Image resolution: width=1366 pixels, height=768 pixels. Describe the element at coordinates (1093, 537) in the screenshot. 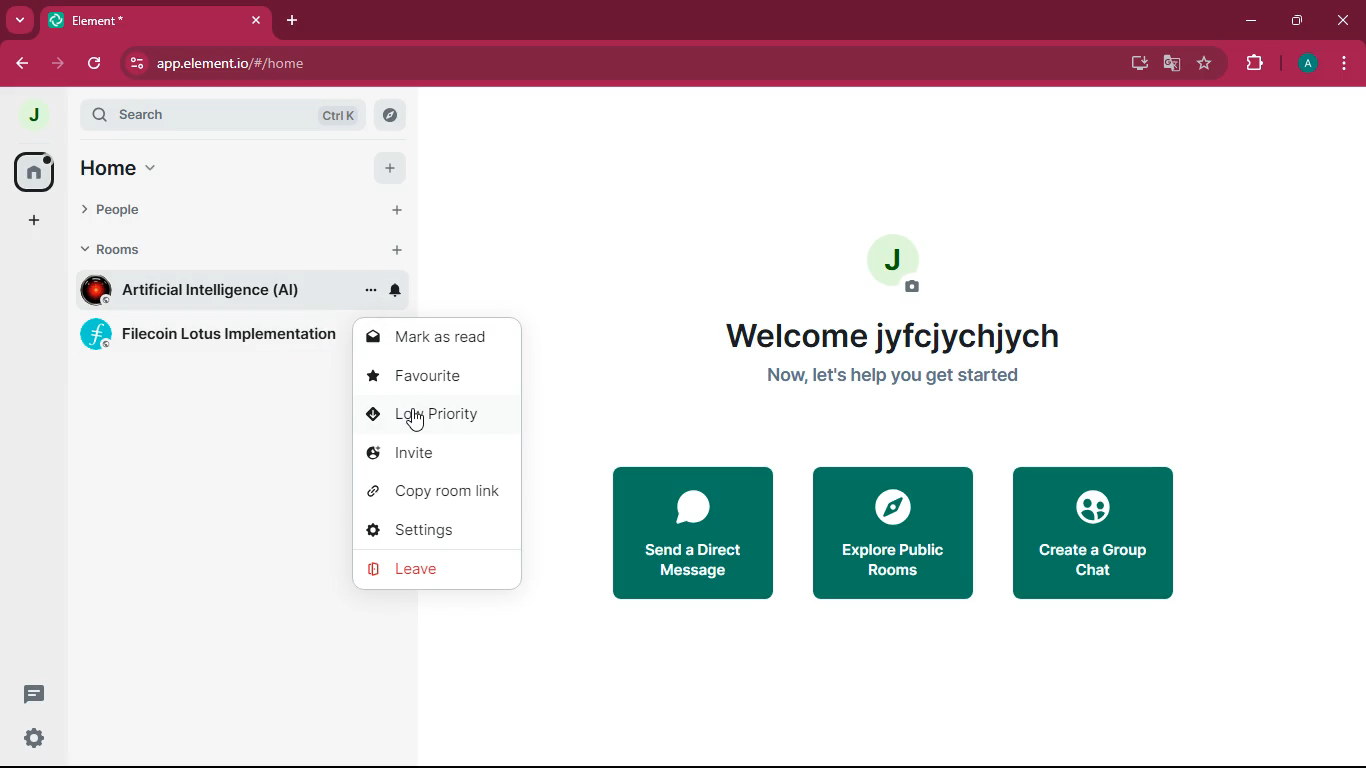

I see `create group chate` at that location.